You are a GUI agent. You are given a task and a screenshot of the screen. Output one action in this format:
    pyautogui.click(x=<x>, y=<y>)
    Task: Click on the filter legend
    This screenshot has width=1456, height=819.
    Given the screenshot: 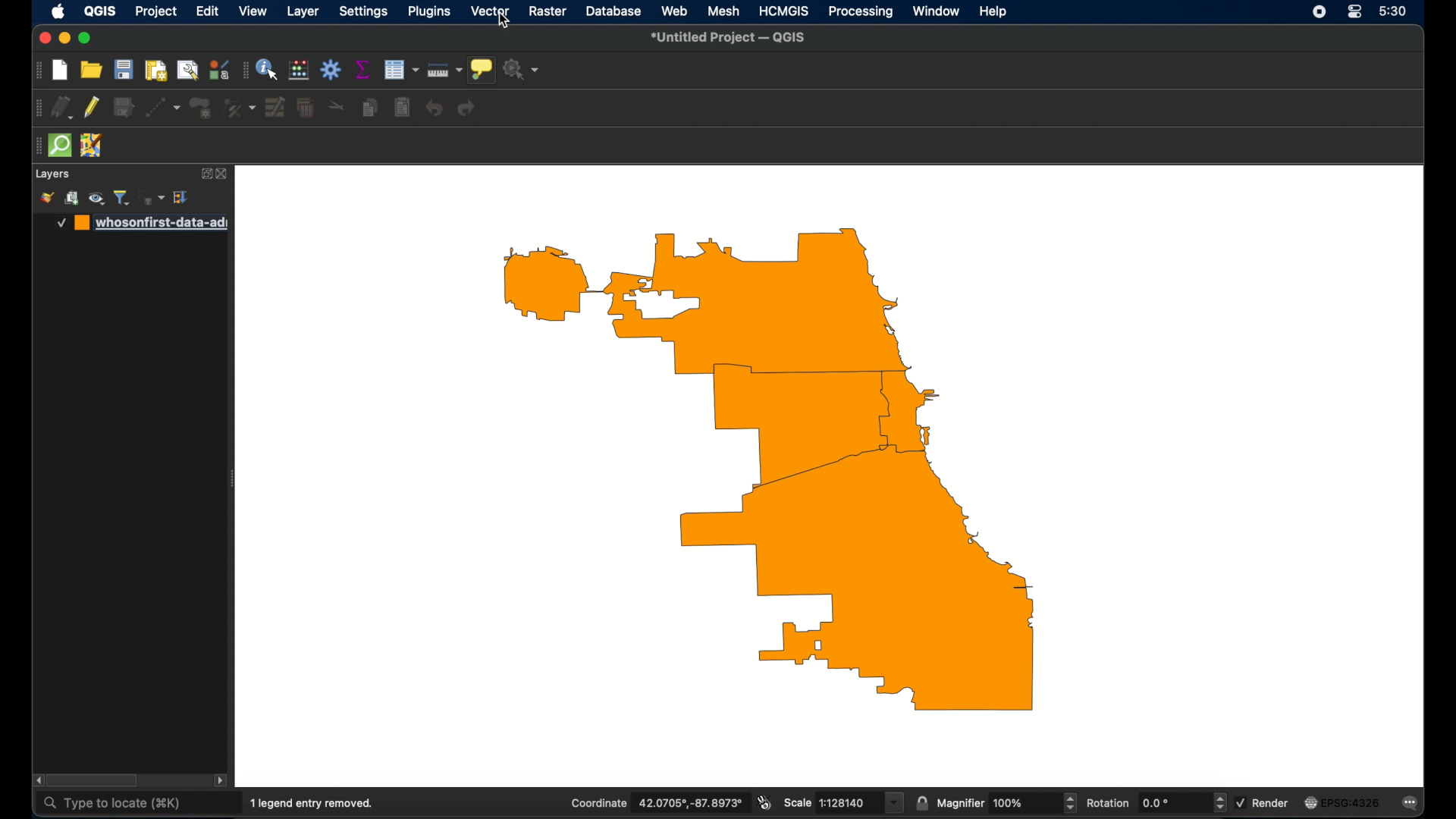 What is the action you would take?
    pyautogui.click(x=124, y=197)
    